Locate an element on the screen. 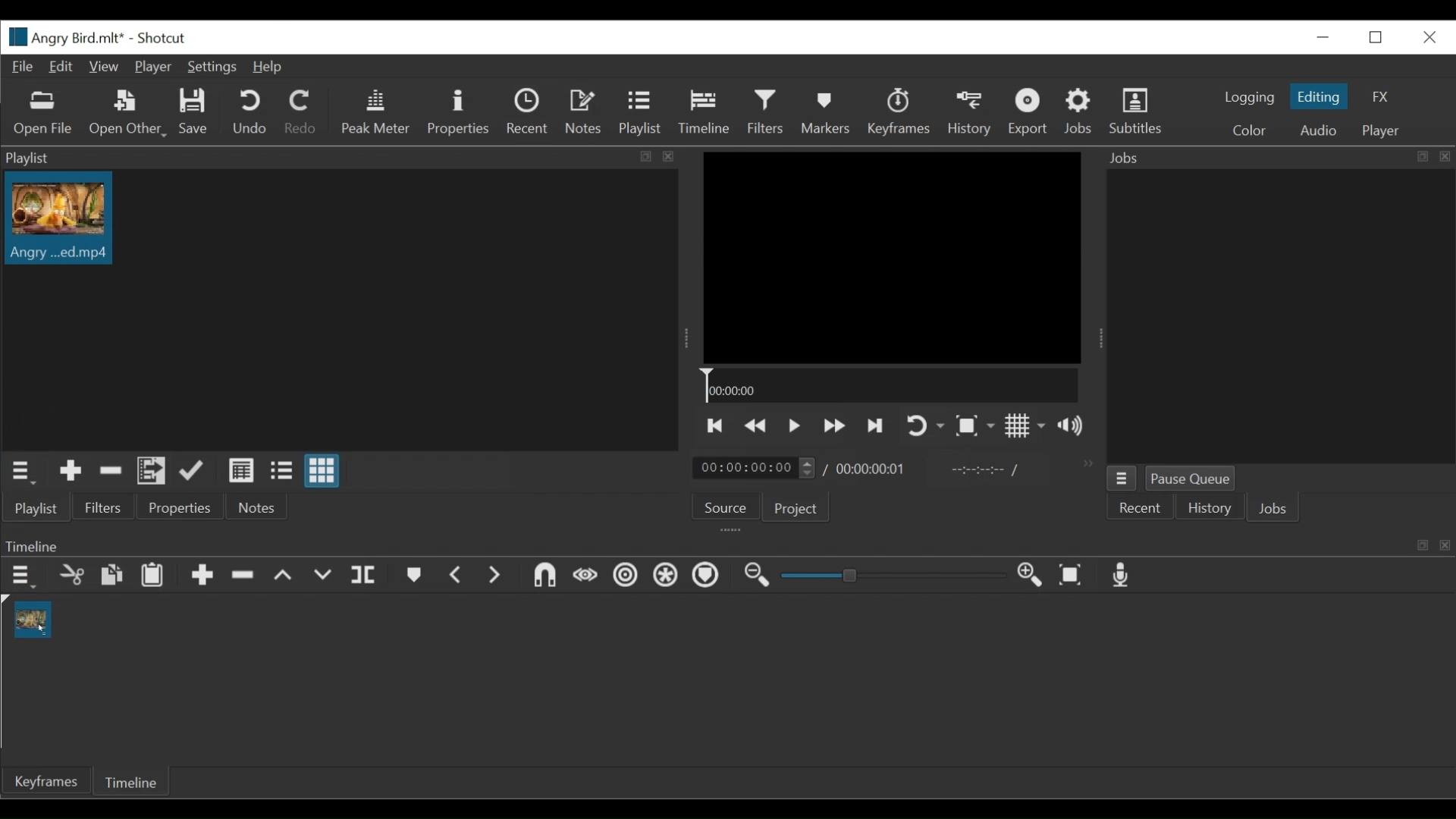 The image size is (1456, 819). Show volume control is located at coordinates (1075, 427).